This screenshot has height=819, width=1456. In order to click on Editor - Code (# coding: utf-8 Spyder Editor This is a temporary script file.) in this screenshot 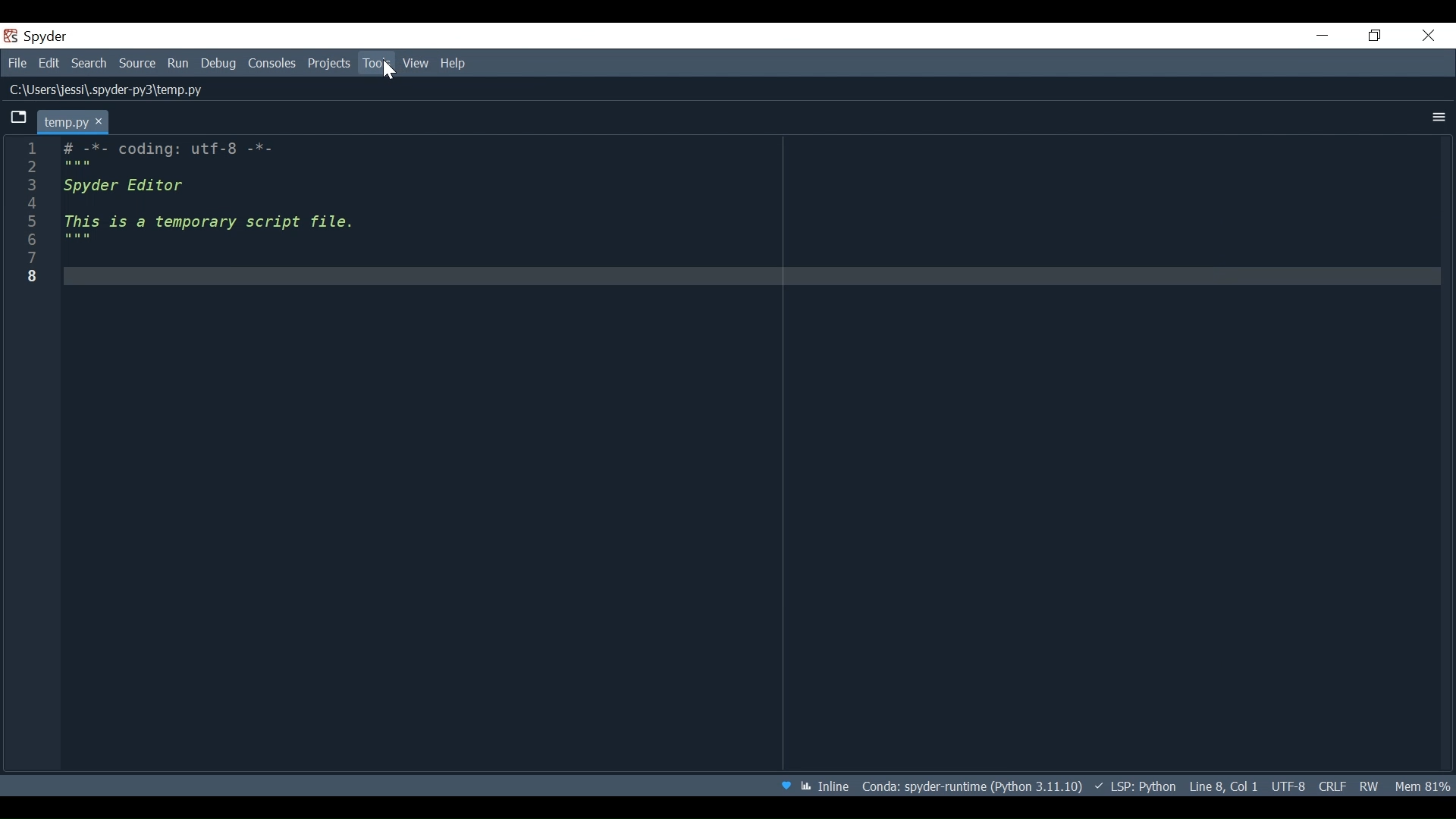, I will do `click(218, 211)`.